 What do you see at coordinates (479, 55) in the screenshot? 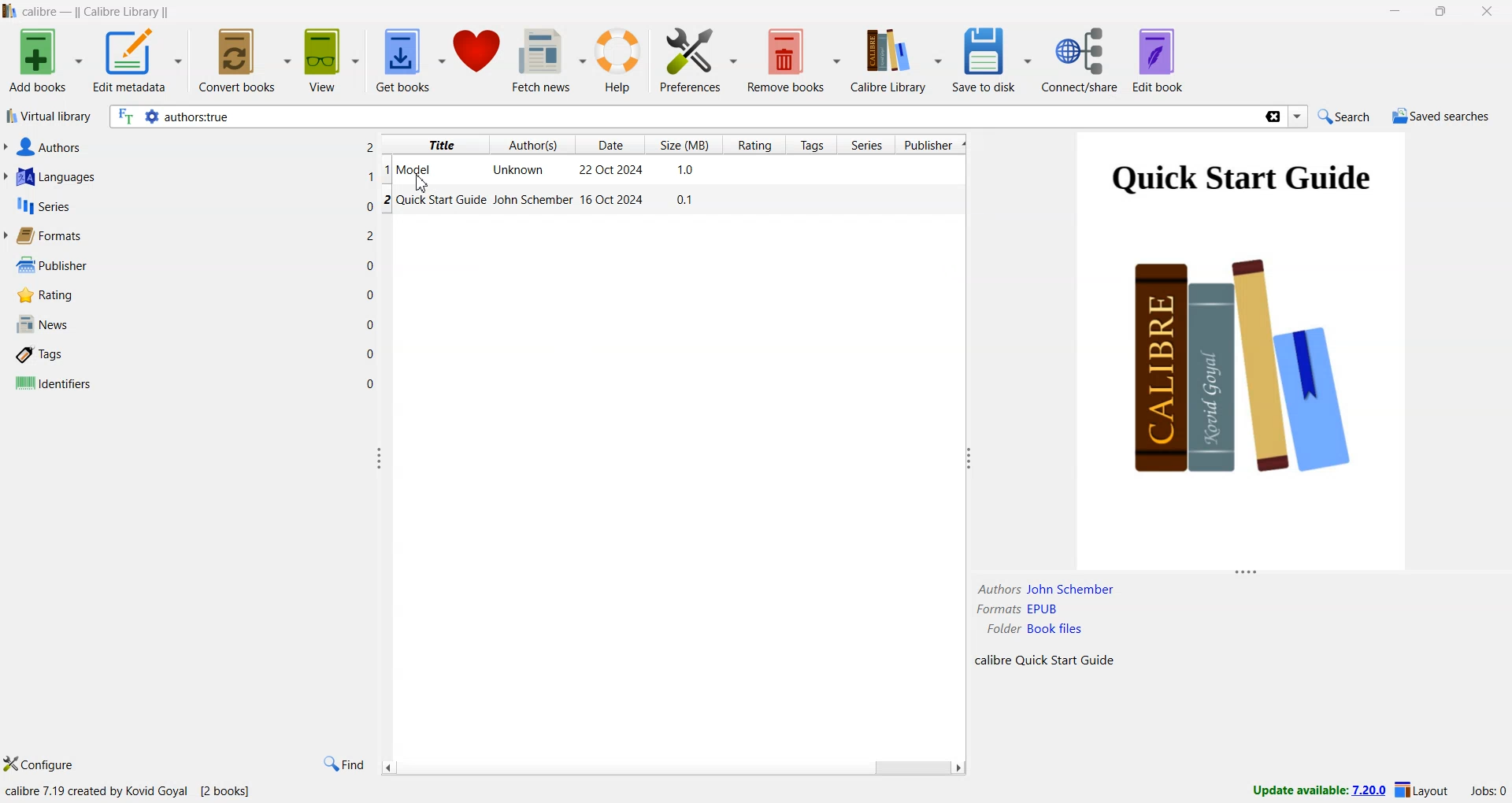
I see `donate to support calibre` at bounding box center [479, 55].